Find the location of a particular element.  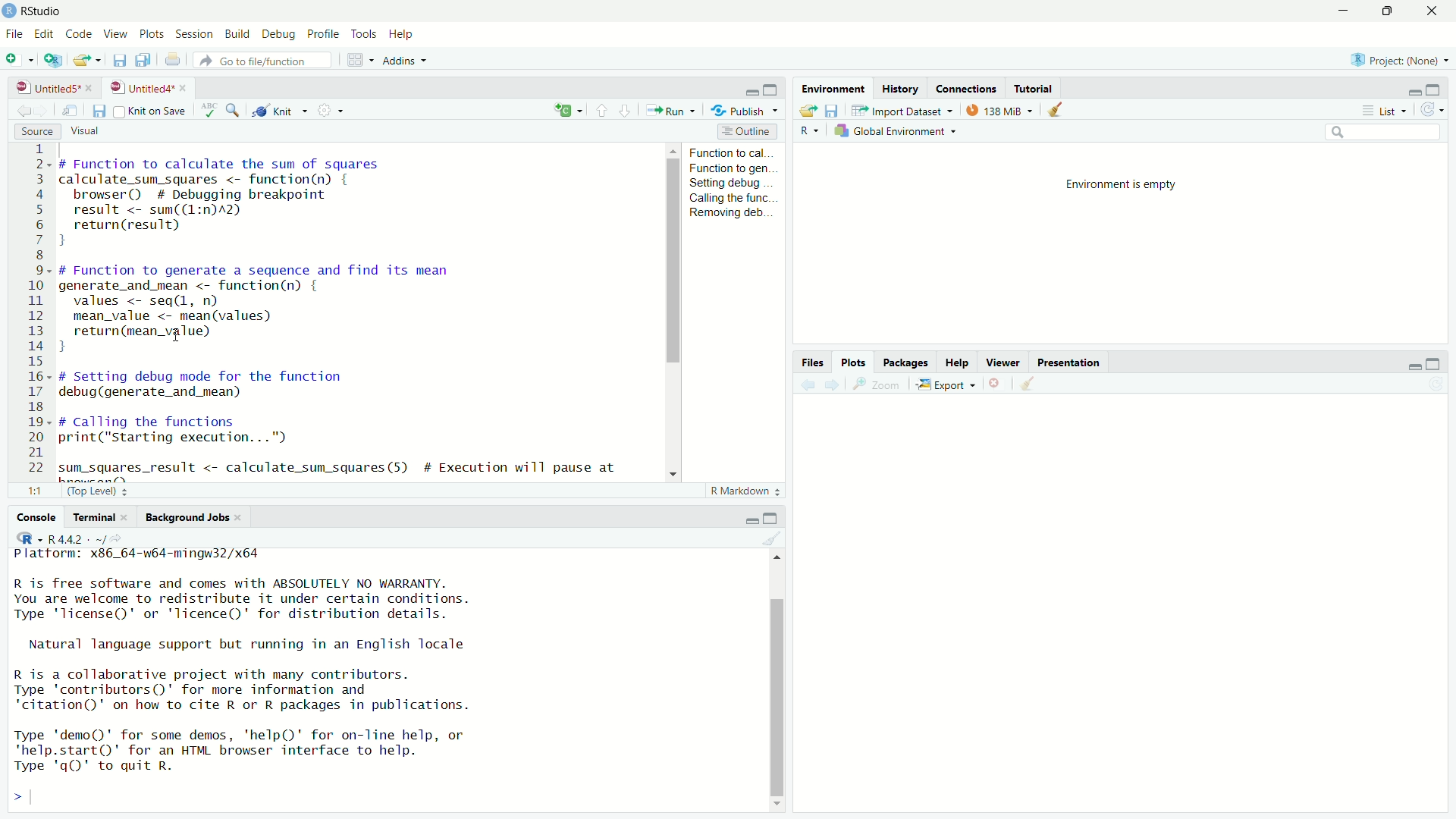

code of function to generate a sequence and find its mean is located at coordinates (286, 309).